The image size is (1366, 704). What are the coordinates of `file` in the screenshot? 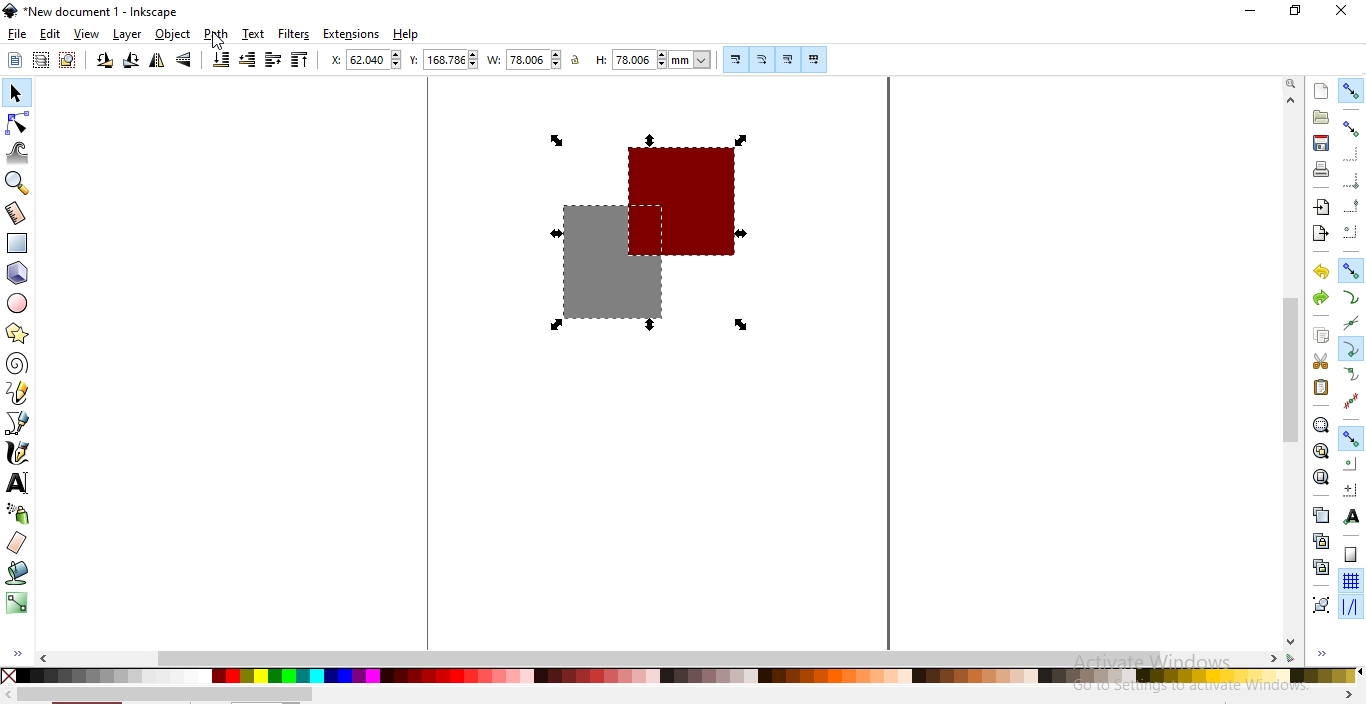 It's located at (18, 35).